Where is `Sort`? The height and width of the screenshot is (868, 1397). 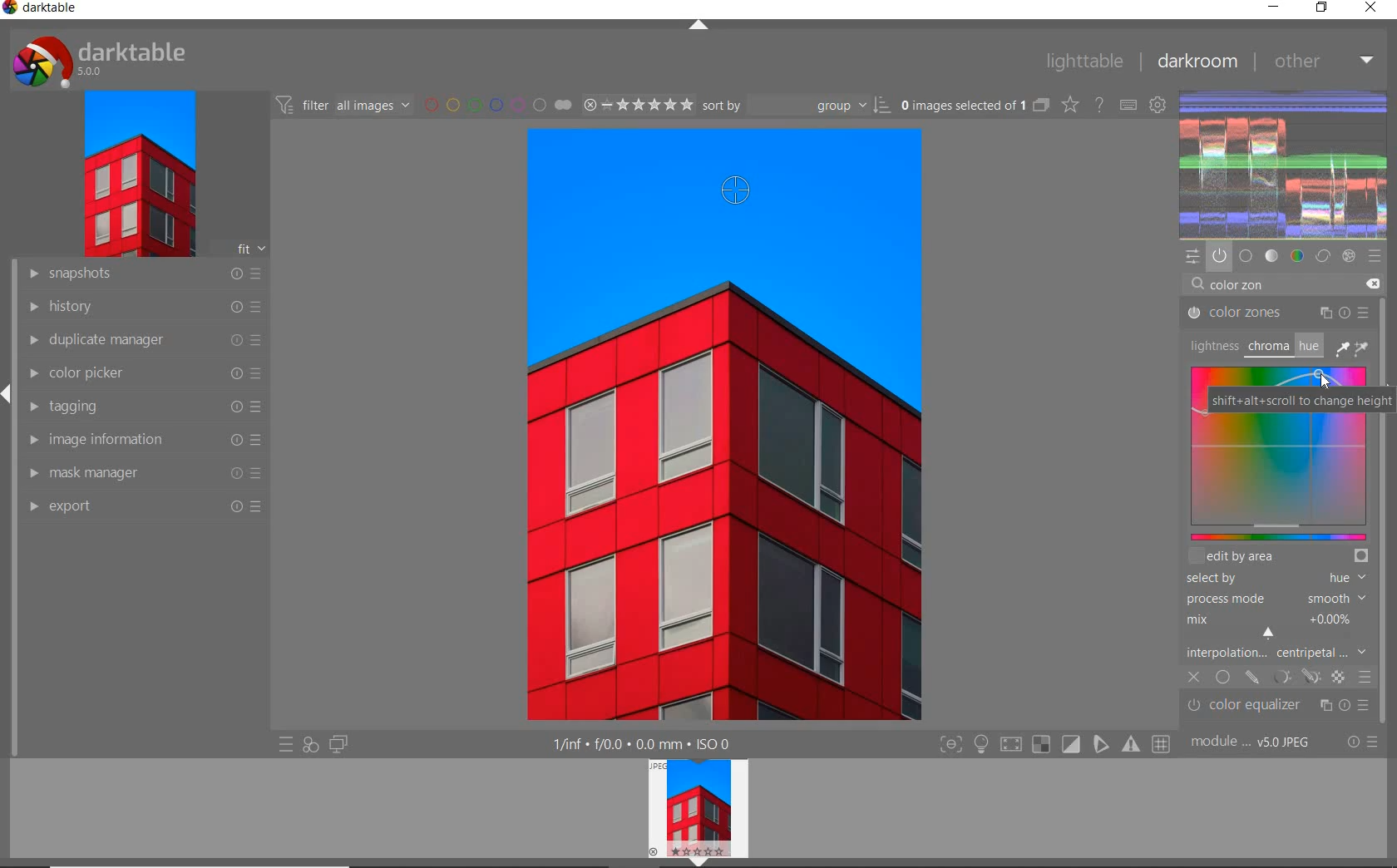
Sort is located at coordinates (797, 106).